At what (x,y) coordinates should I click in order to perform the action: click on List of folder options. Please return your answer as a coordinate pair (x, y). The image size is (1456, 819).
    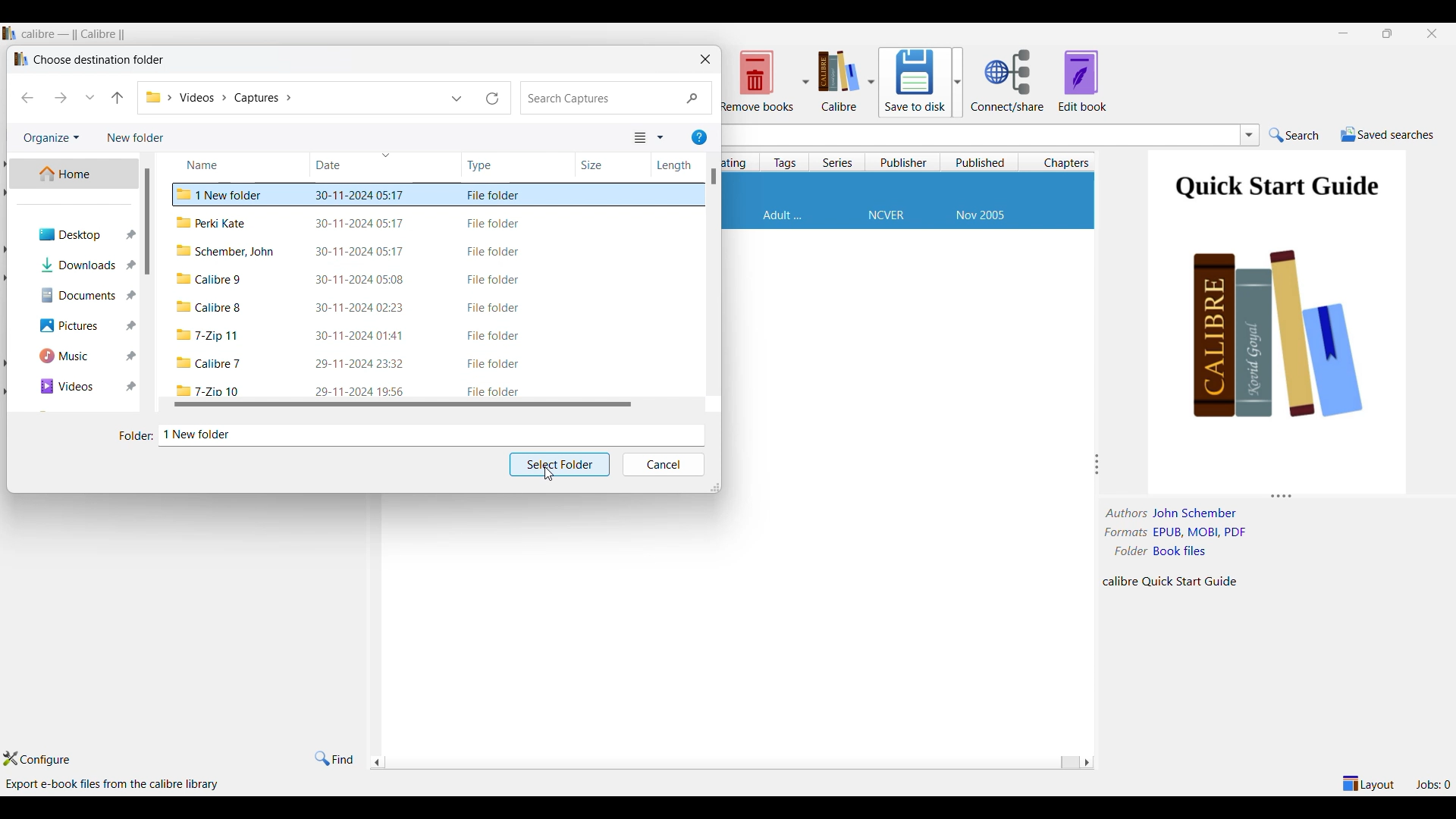
    Looking at the image, I should click on (457, 99).